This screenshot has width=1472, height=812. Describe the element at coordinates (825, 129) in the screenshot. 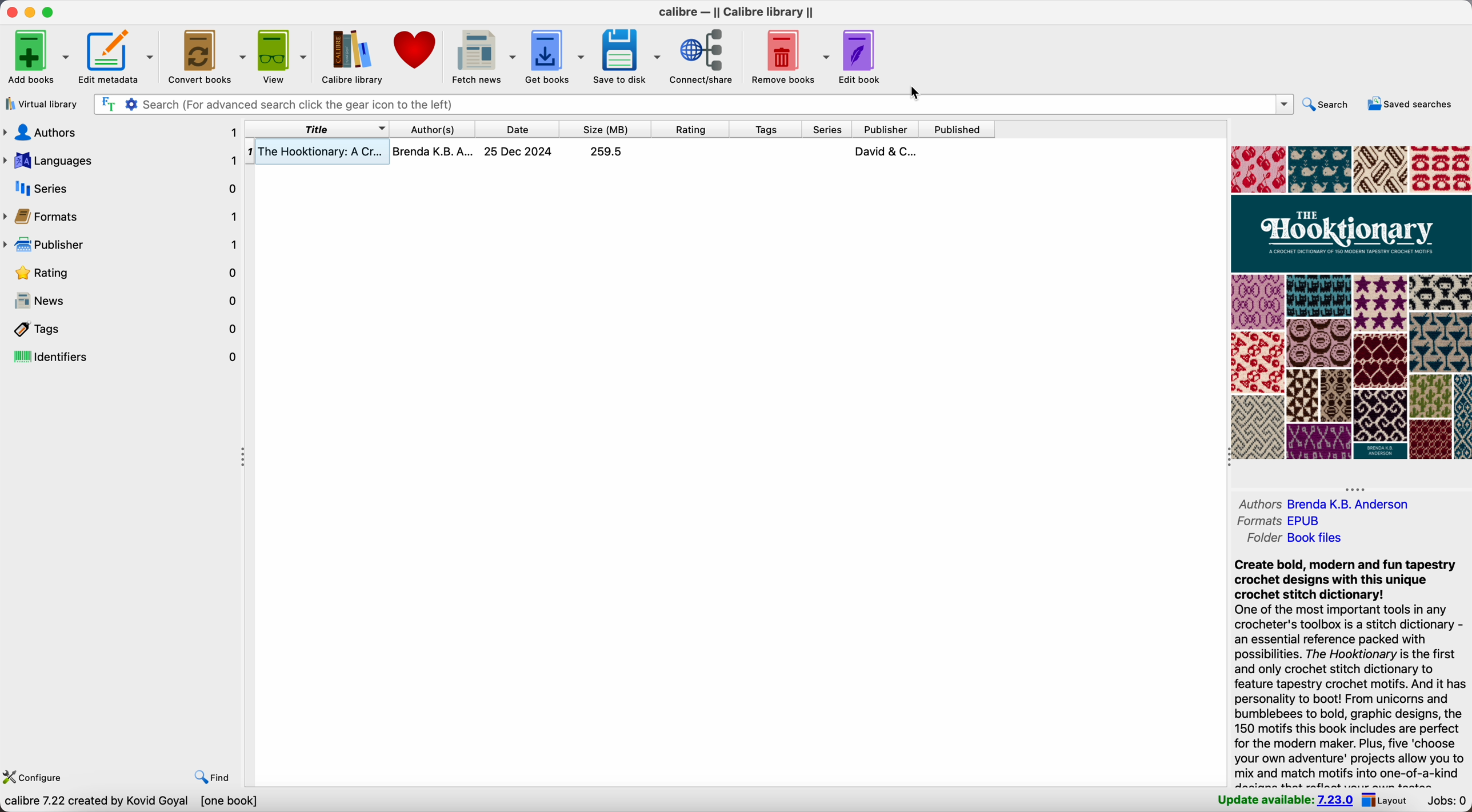

I see `series` at that location.